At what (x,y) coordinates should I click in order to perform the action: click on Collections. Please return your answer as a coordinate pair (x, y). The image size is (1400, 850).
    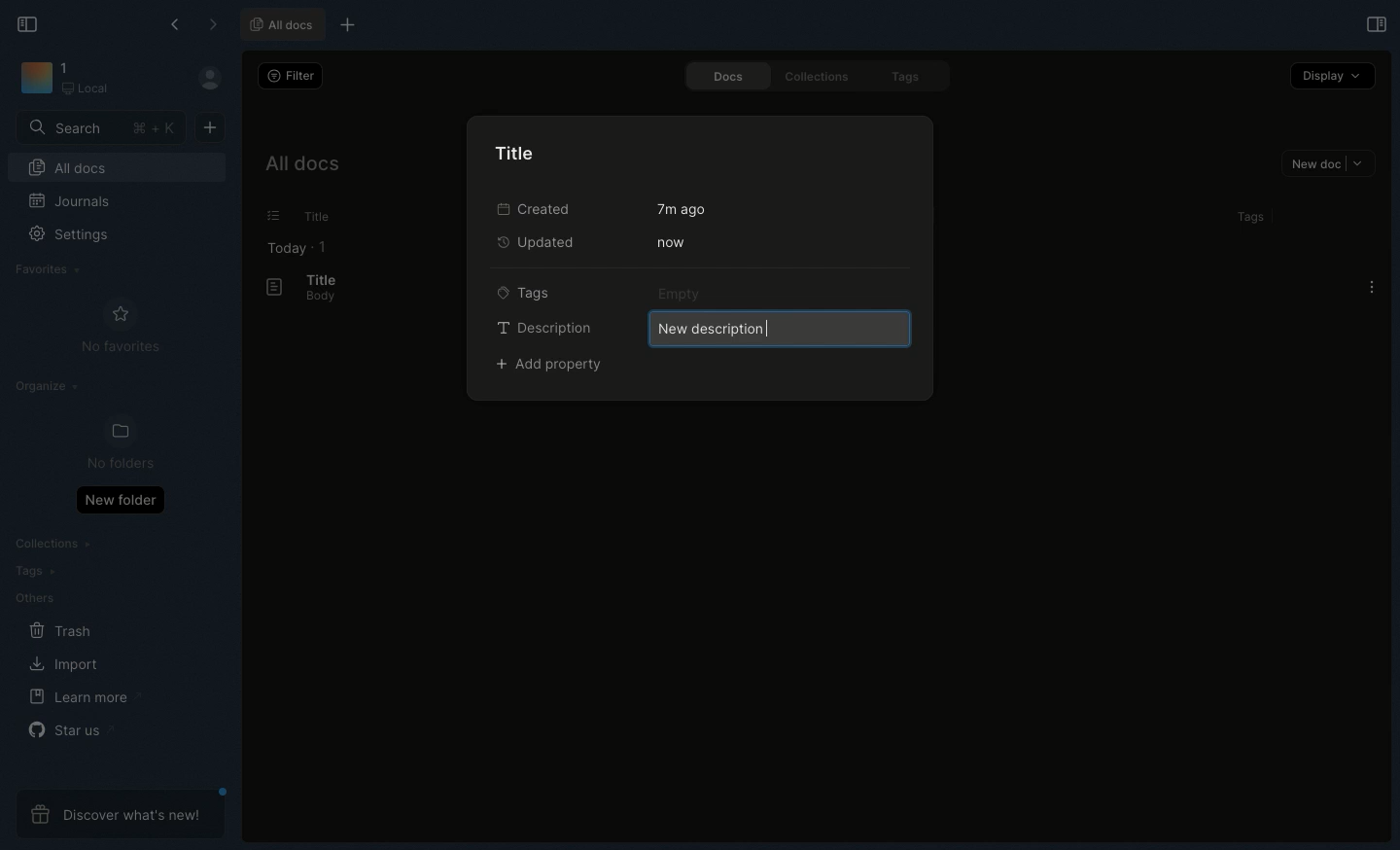
    Looking at the image, I should click on (813, 76).